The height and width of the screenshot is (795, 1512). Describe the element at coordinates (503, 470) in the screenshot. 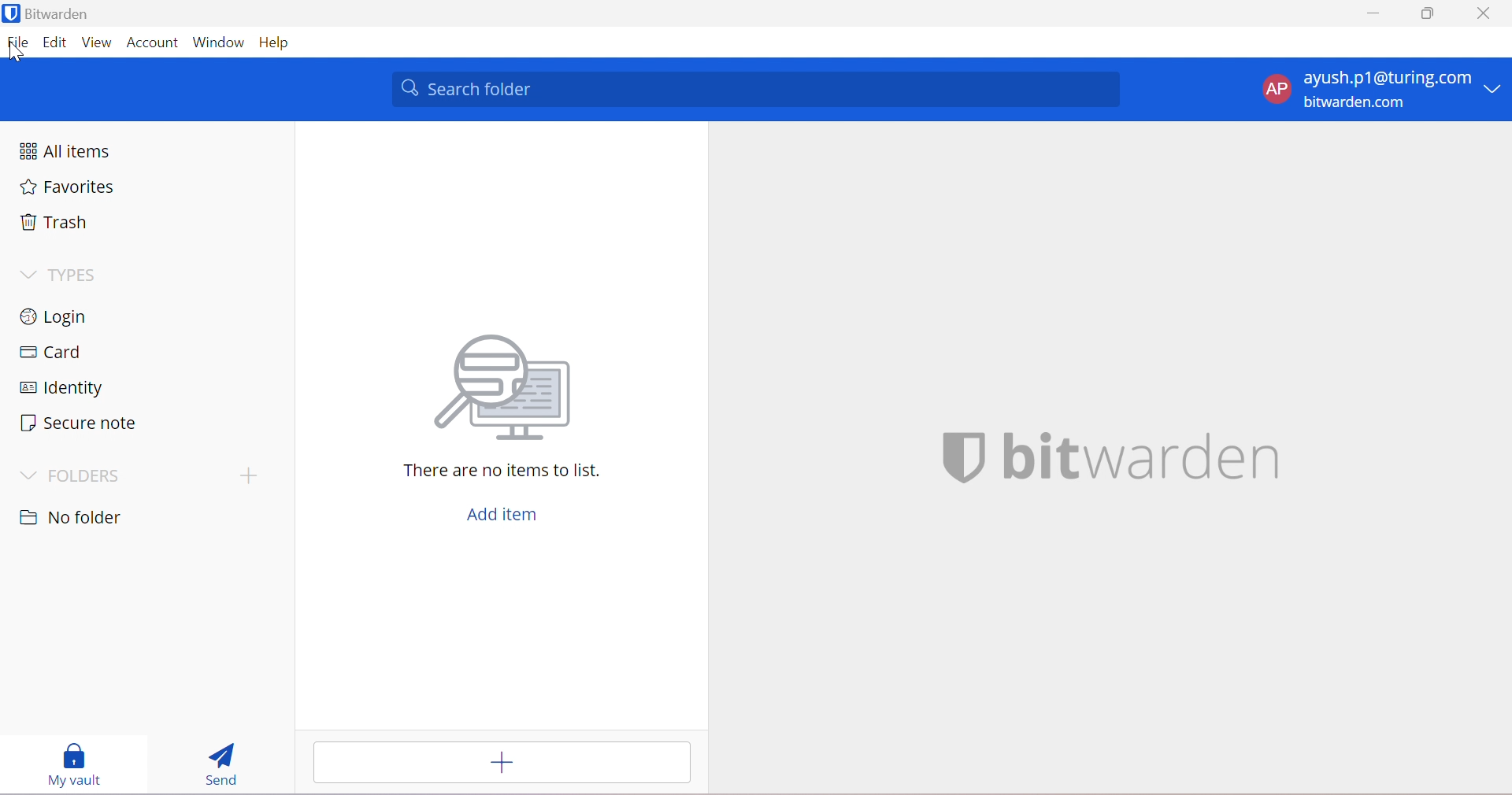

I see `There are no items to list.` at that location.